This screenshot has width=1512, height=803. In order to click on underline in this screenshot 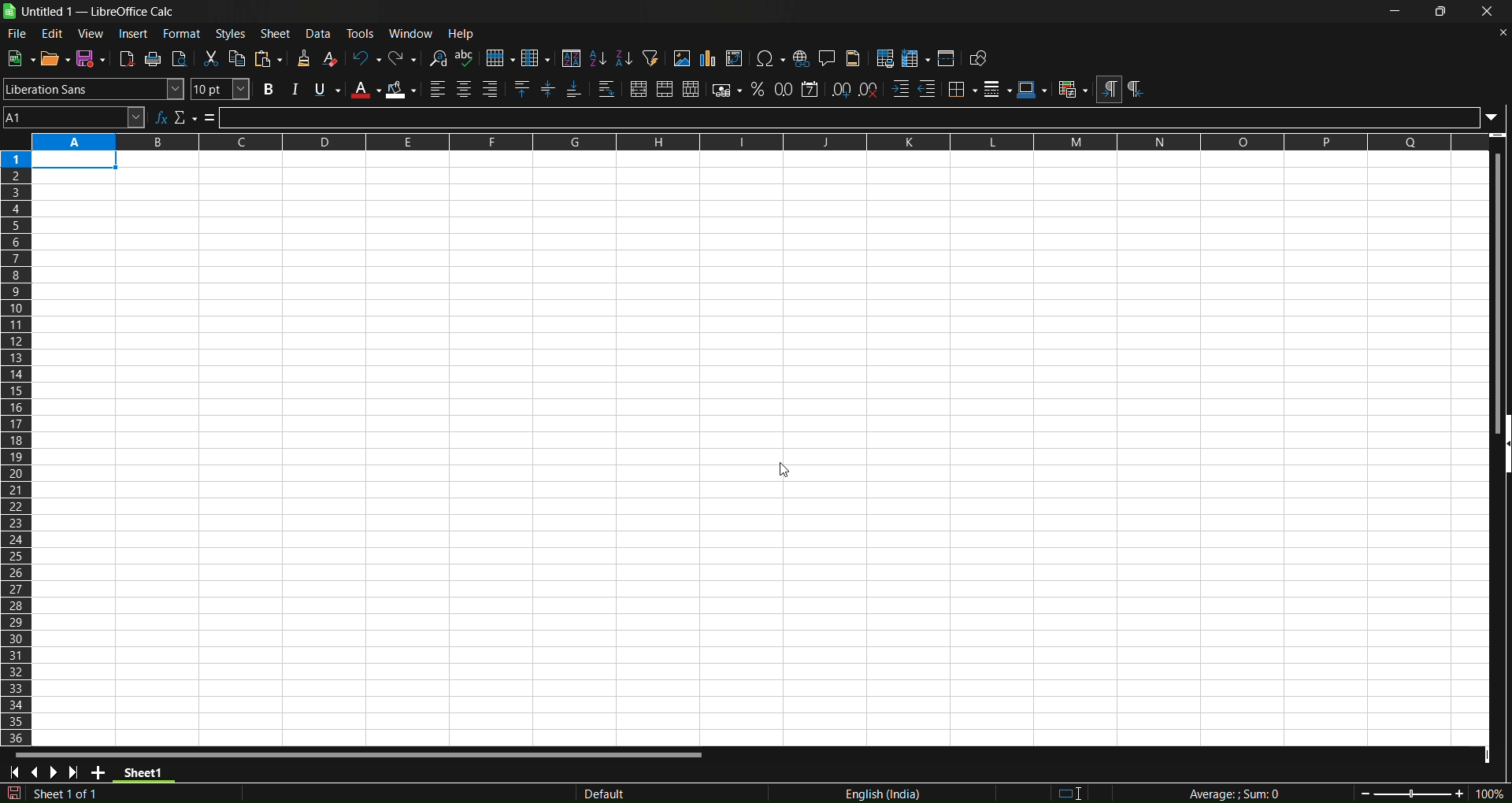, I will do `click(327, 90)`.